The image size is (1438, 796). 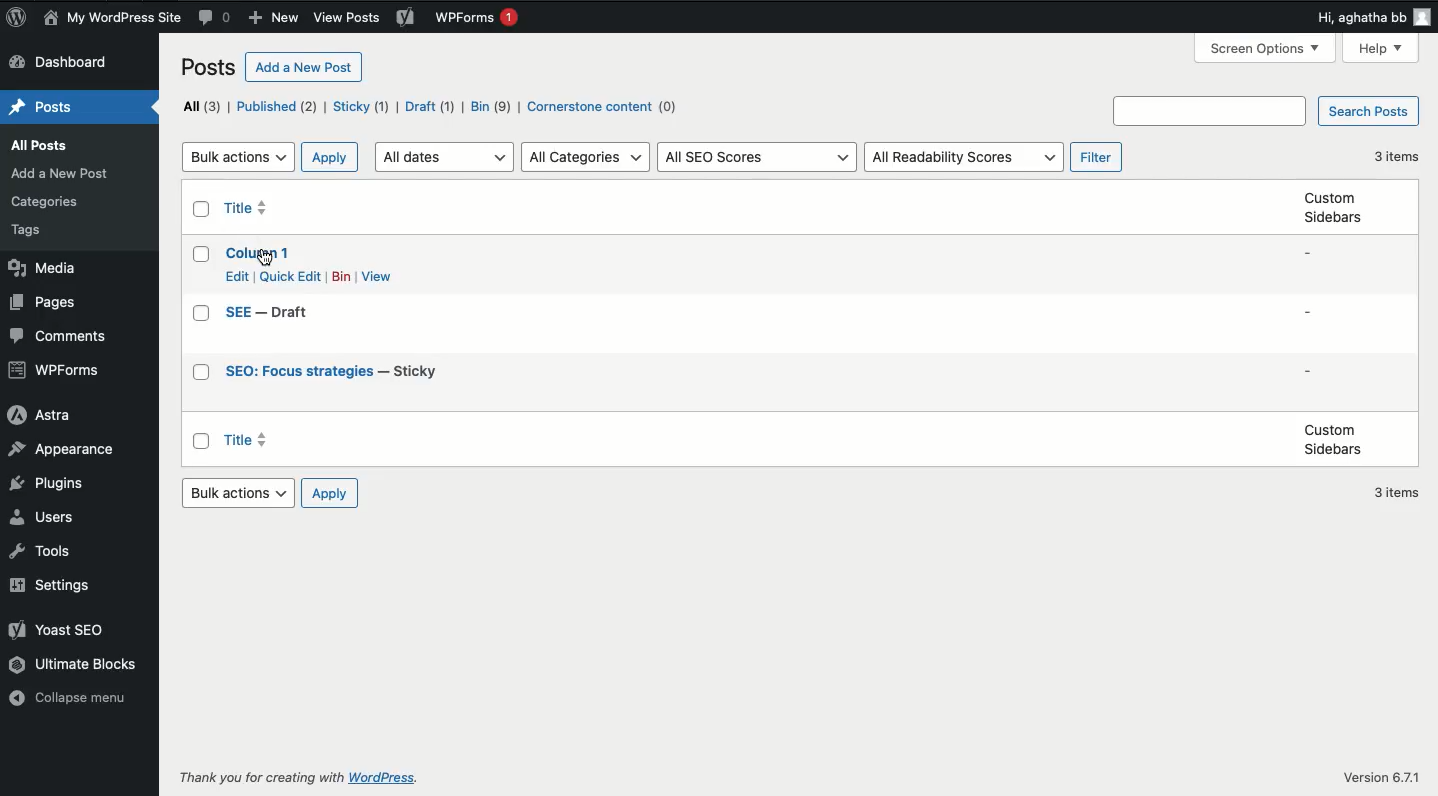 What do you see at coordinates (1207, 110) in the screenshot?
I see `Search` at bounding box center [1207, 110].